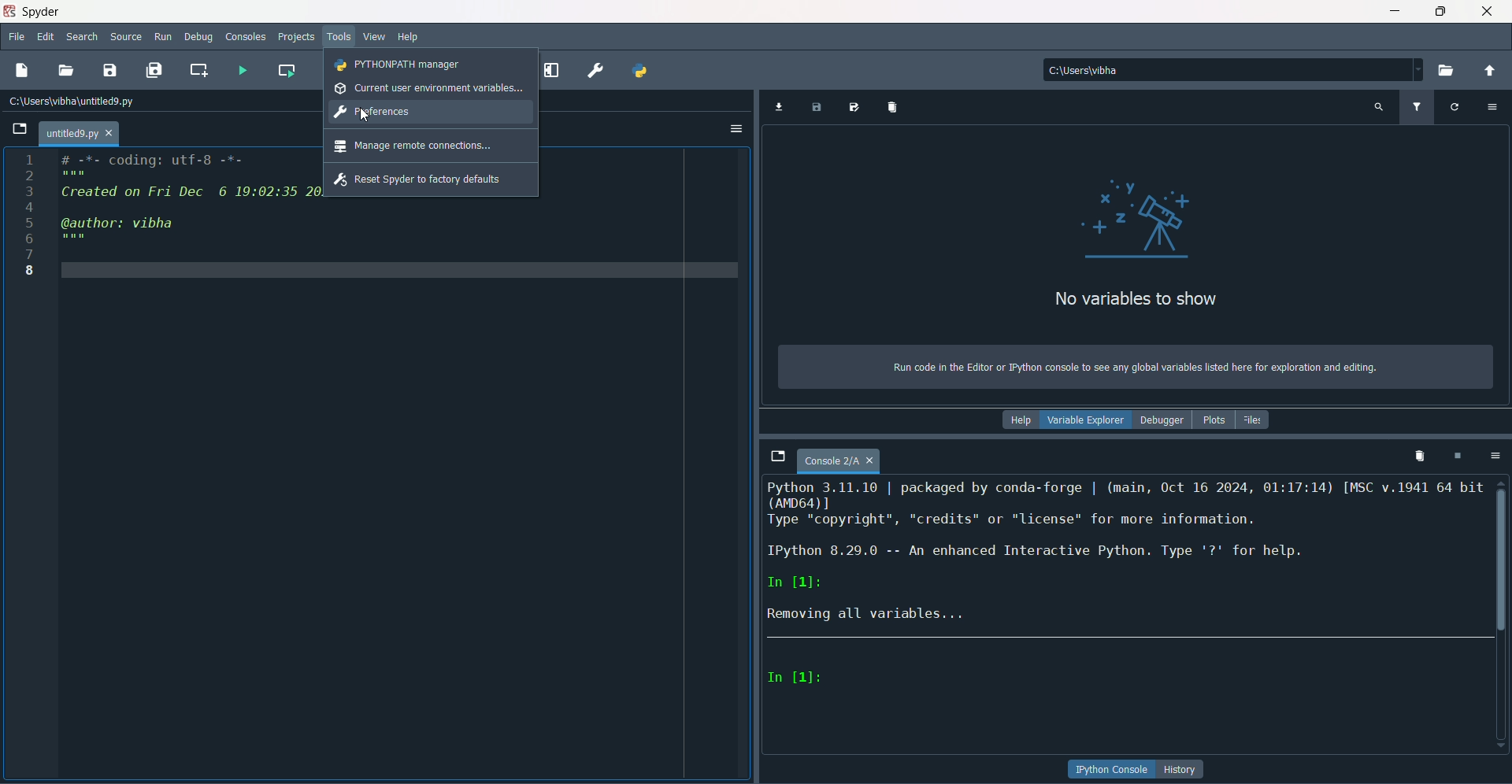 This screenshot has height=784, width=1512. What do you see at coordinates (79, 133) in the screenshot?
I see `tab name` at bounding box center [79, 133].